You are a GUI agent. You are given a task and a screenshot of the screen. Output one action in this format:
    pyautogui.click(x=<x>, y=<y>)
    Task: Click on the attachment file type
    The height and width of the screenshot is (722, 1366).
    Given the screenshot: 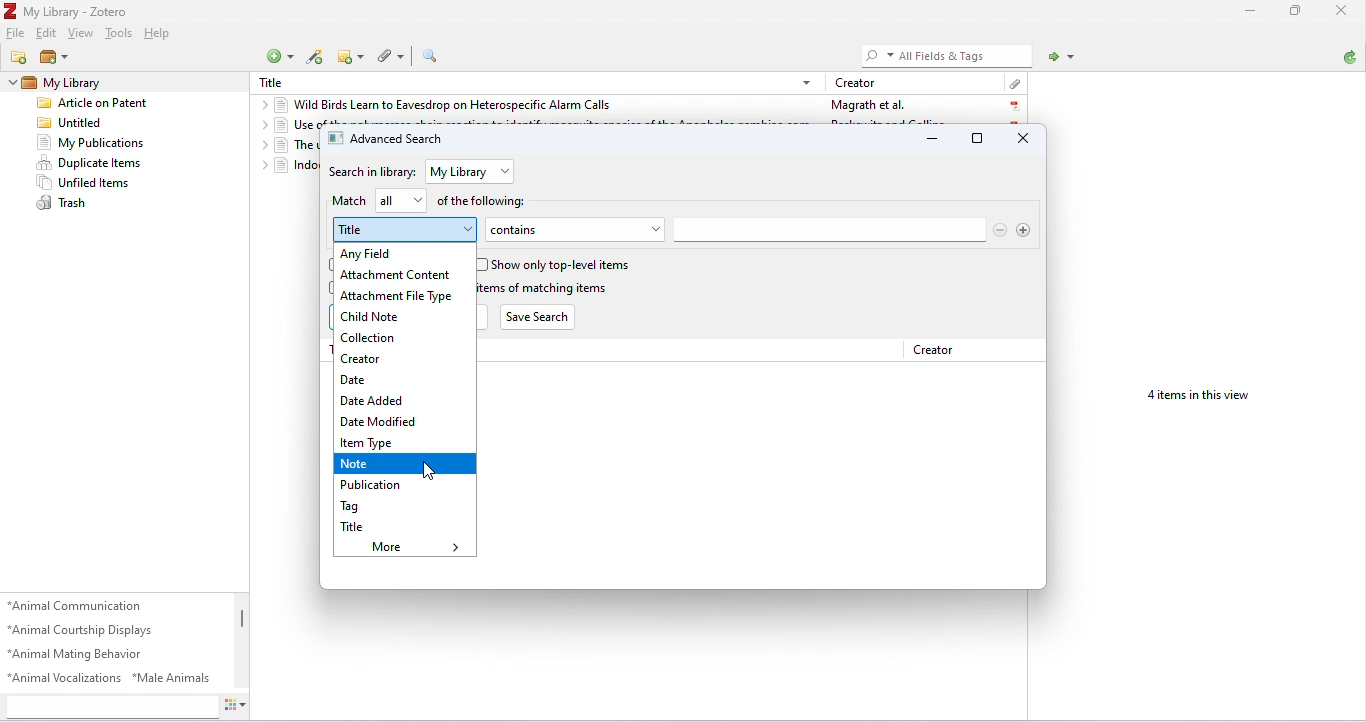 What is the action you would take?
    pyautogui.click(x=400, y=296)
    